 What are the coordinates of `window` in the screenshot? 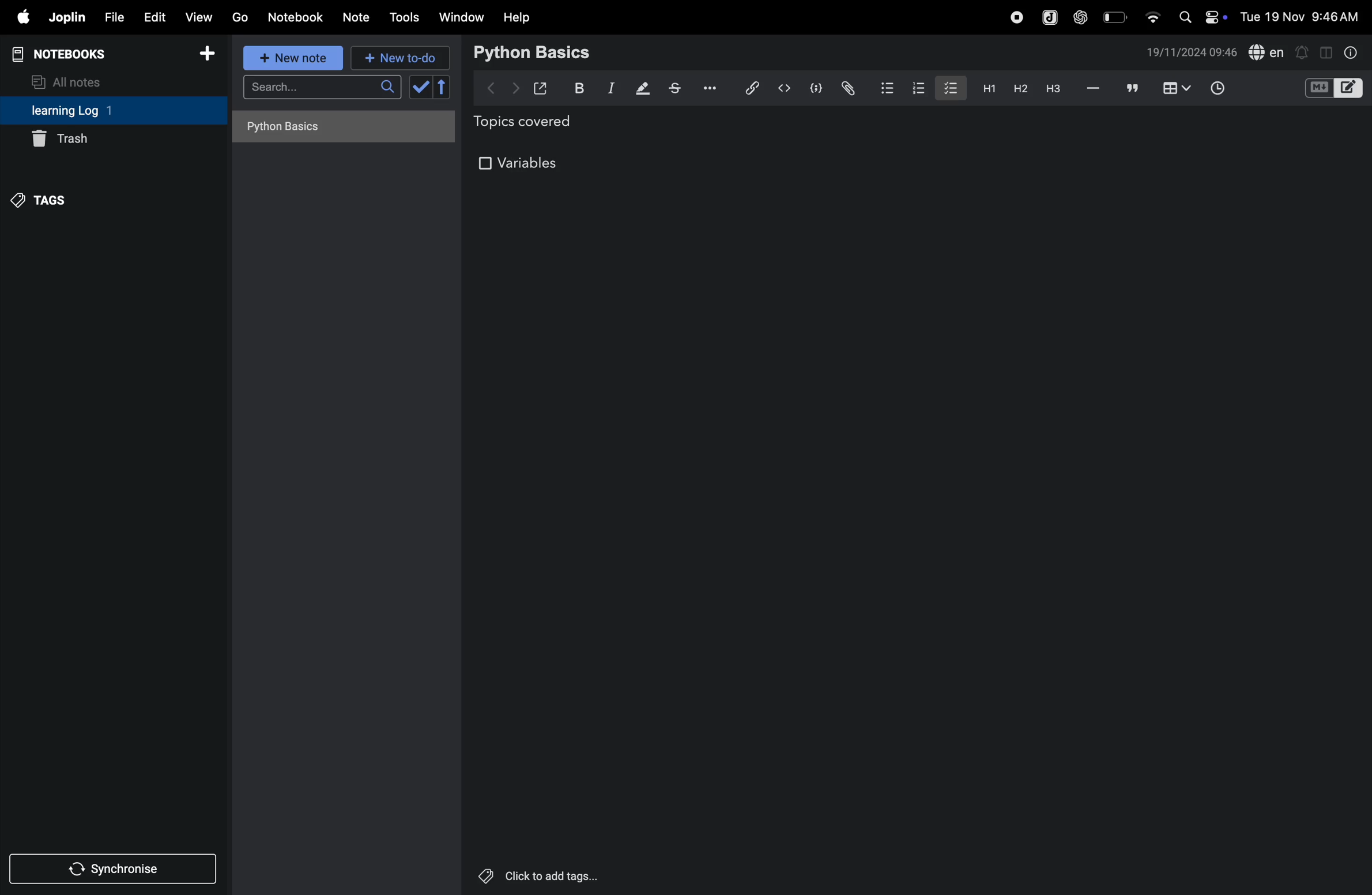 It's located at (462, 17).